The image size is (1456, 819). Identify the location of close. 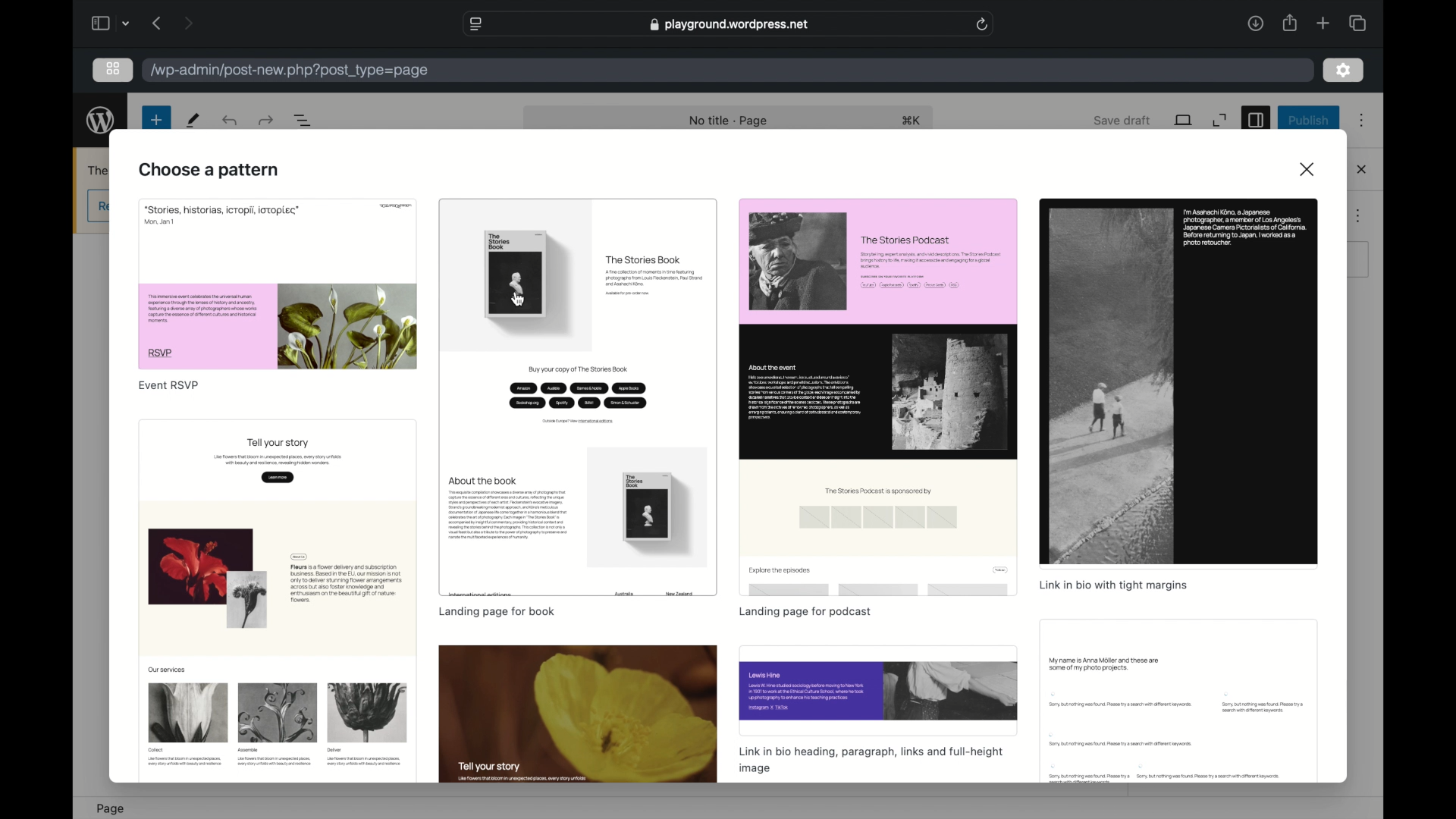
(1362, 168).